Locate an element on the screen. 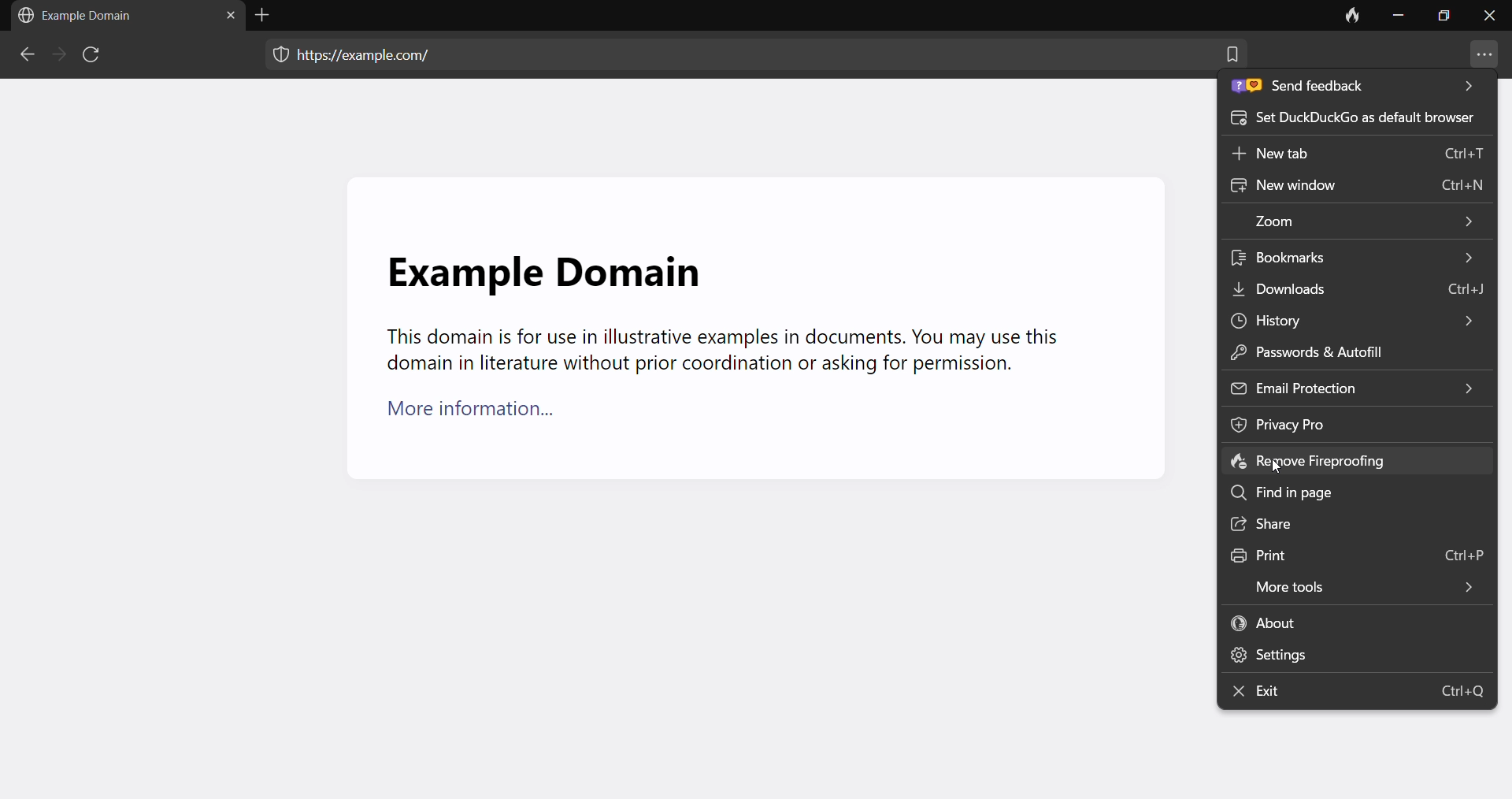 This screenshot has width=1512, height=799. bookmarks is located at coordinates (1359, 257).